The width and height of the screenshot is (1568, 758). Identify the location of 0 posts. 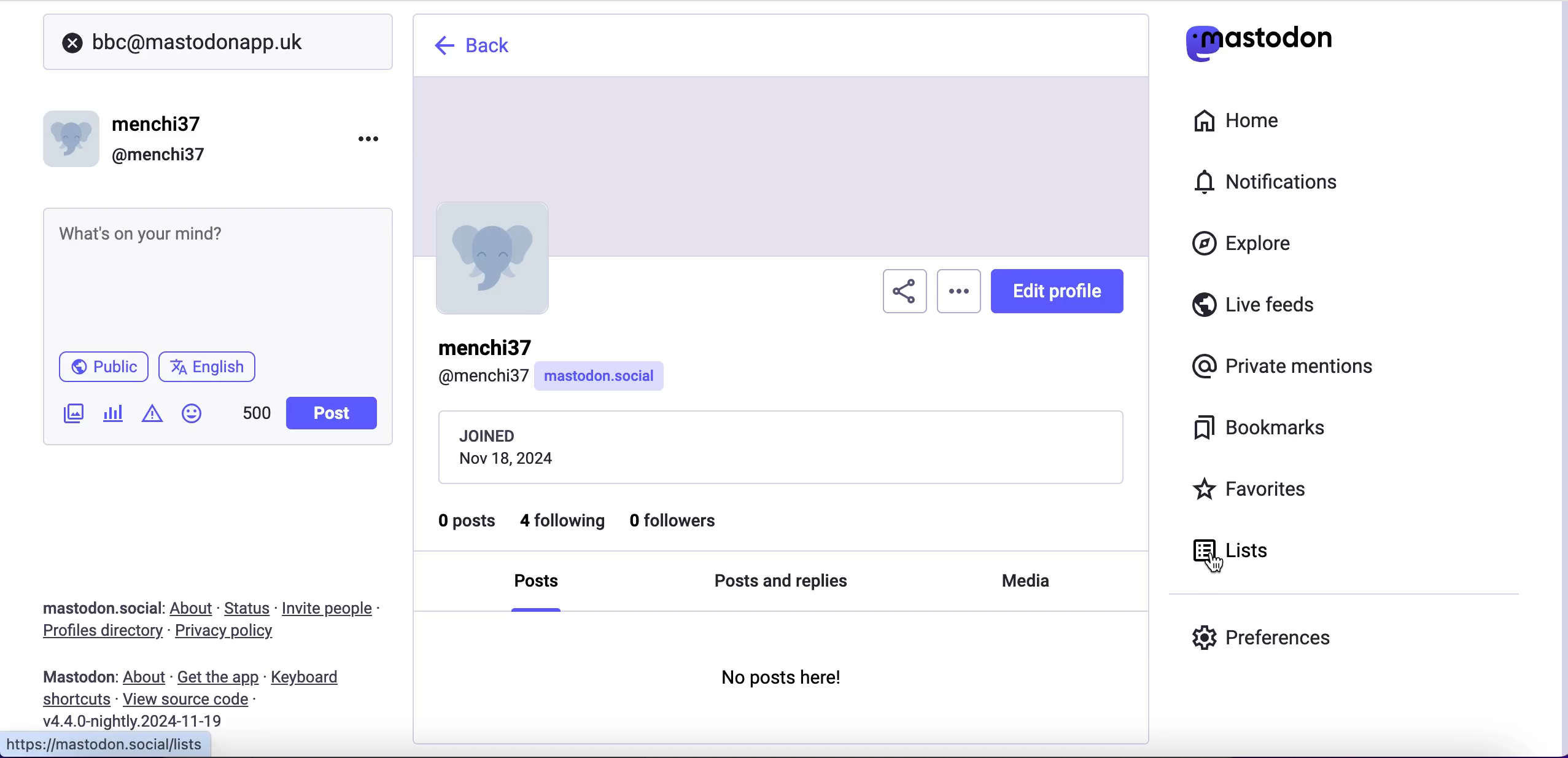
(465, 525).